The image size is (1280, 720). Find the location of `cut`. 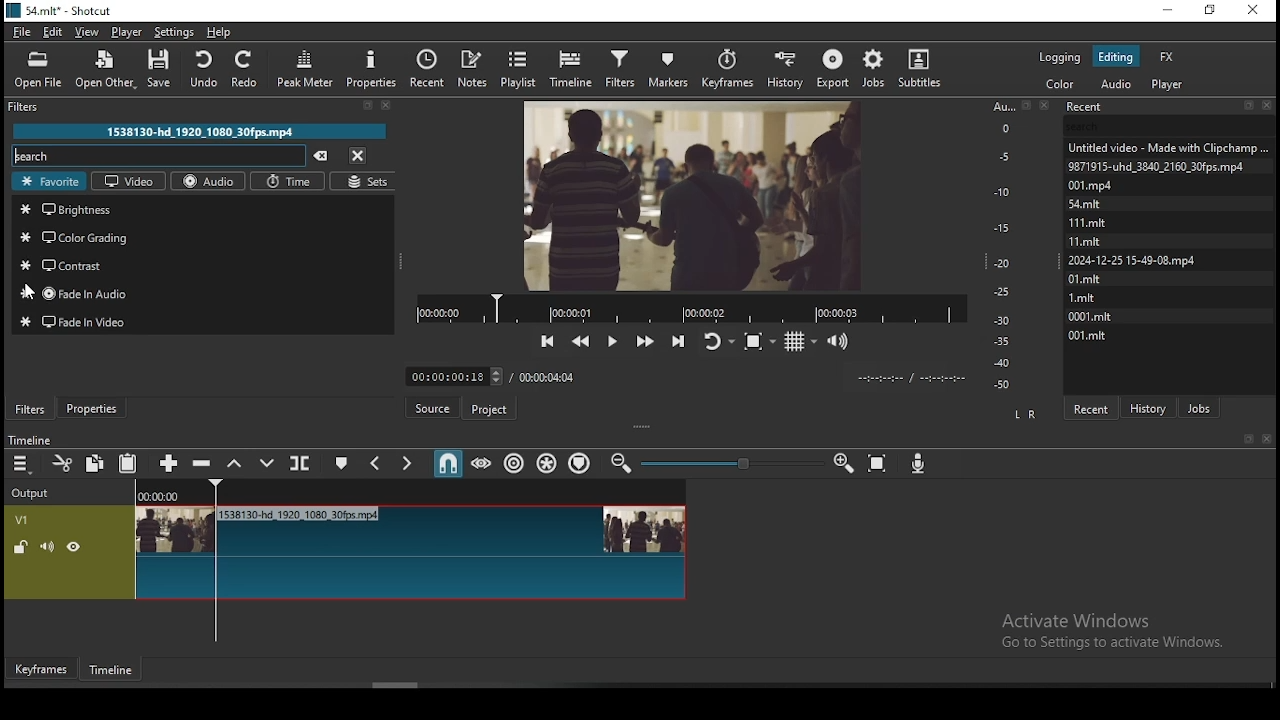

cut is located at coordinates (60, 463).